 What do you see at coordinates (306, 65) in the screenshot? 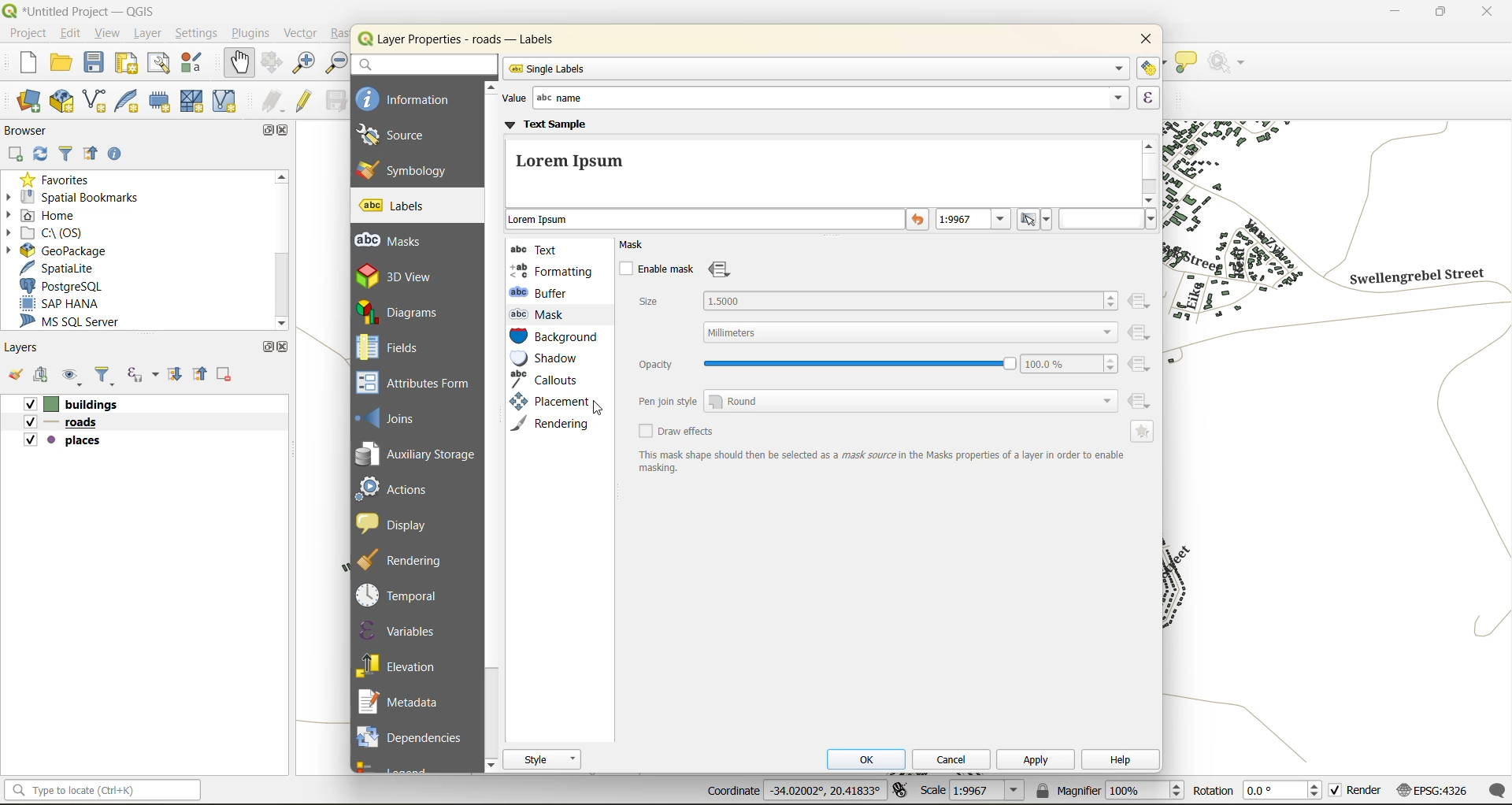
I see `zoom in` at bounding box center [306, 65].